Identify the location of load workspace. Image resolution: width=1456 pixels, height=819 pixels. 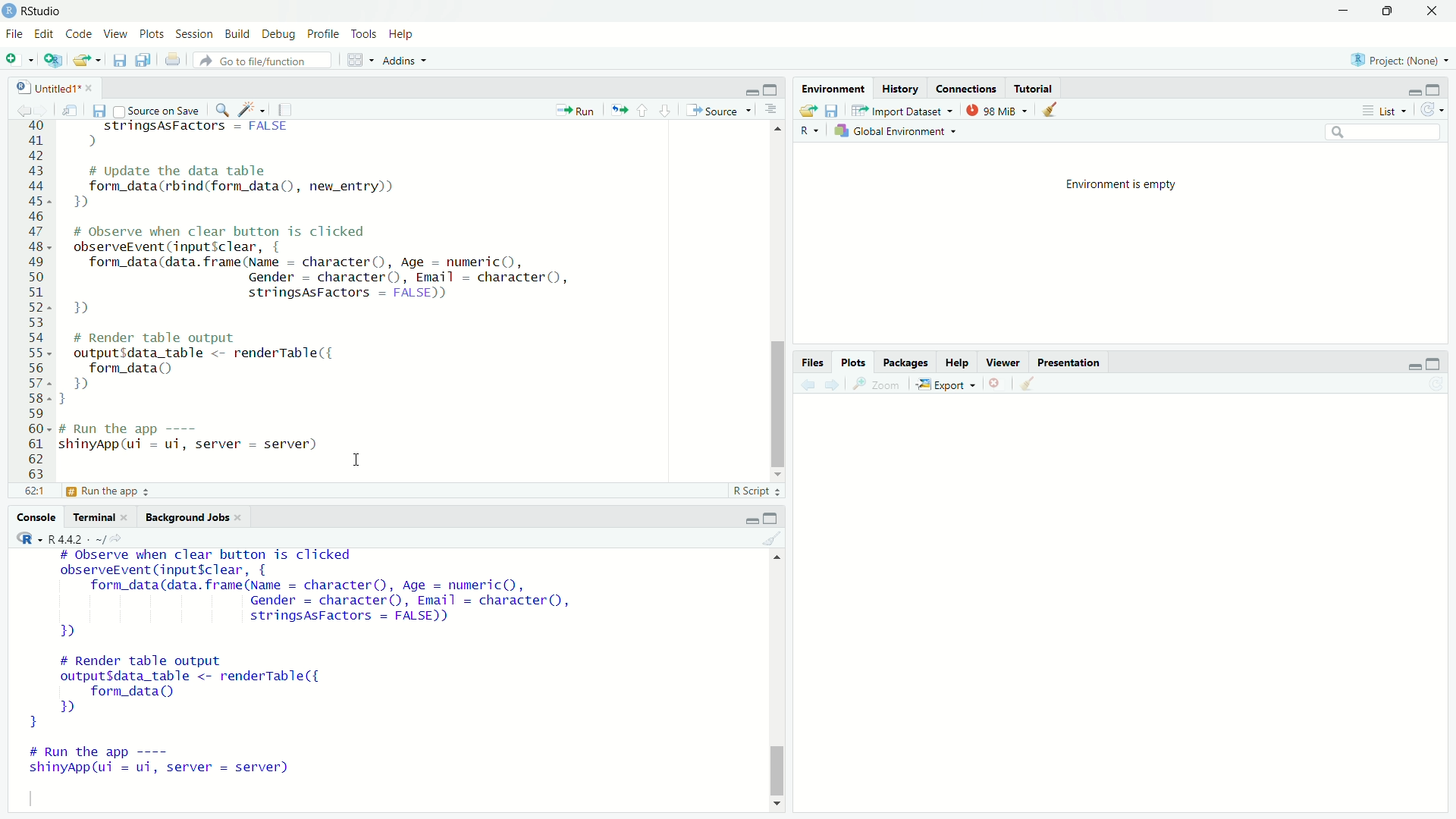
(805, 111).